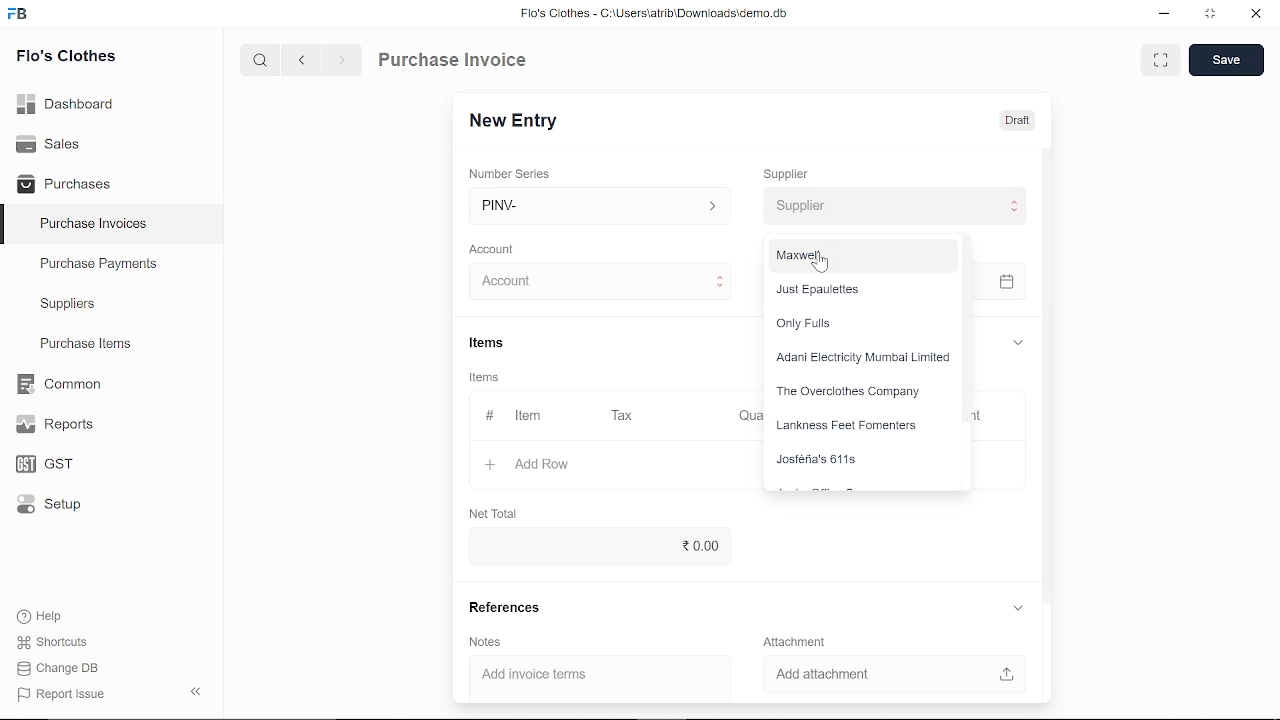  Describe the element at coordinates (862, 359) in the screenshot. I see `Adani Electricity Mumbai Limited` at that location.